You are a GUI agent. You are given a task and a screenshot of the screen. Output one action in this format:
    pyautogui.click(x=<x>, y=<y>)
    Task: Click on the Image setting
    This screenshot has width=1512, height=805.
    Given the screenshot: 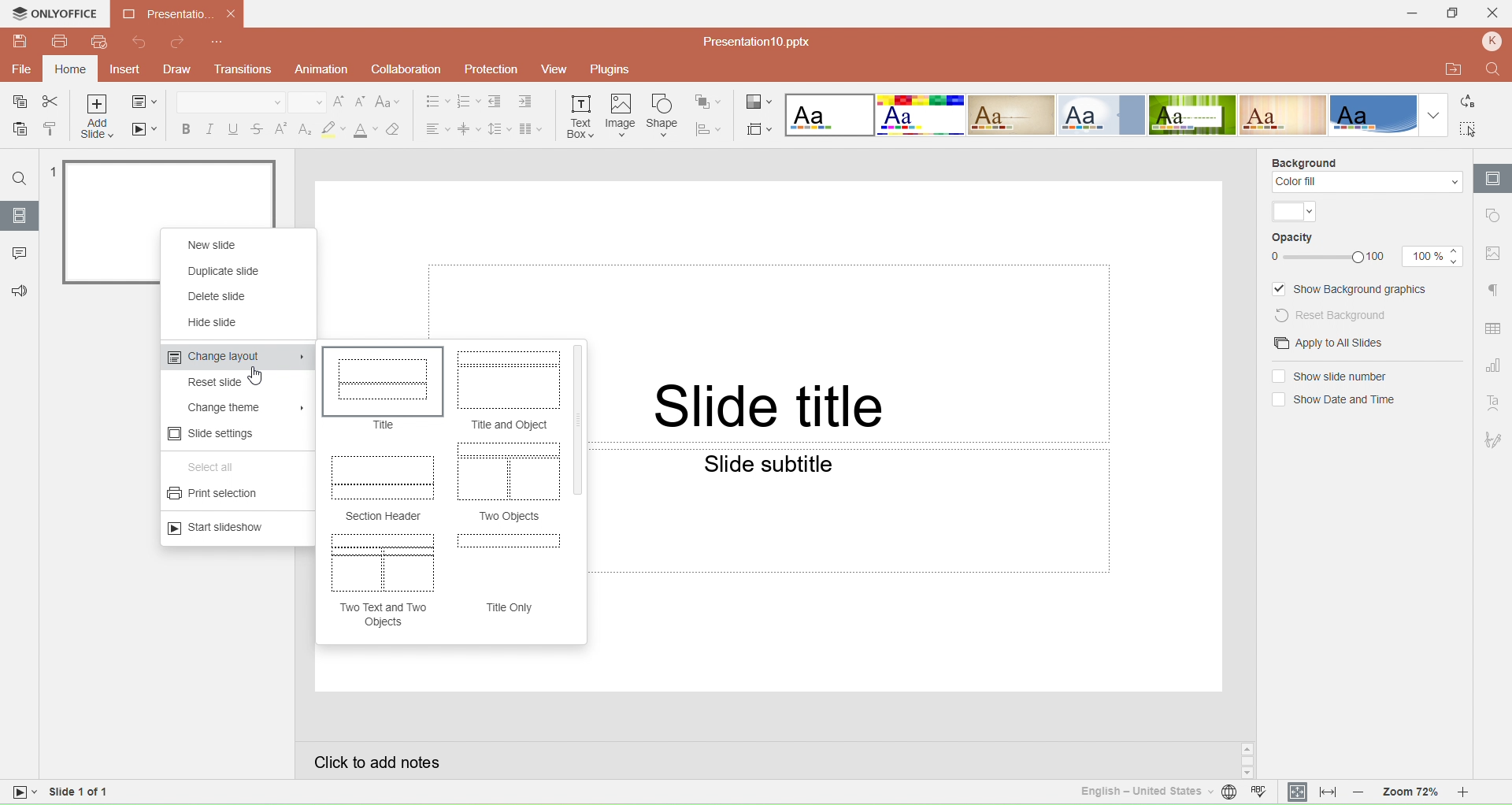 What is the action you would take?
    pyautogui.click(x=1493, y=254)
    